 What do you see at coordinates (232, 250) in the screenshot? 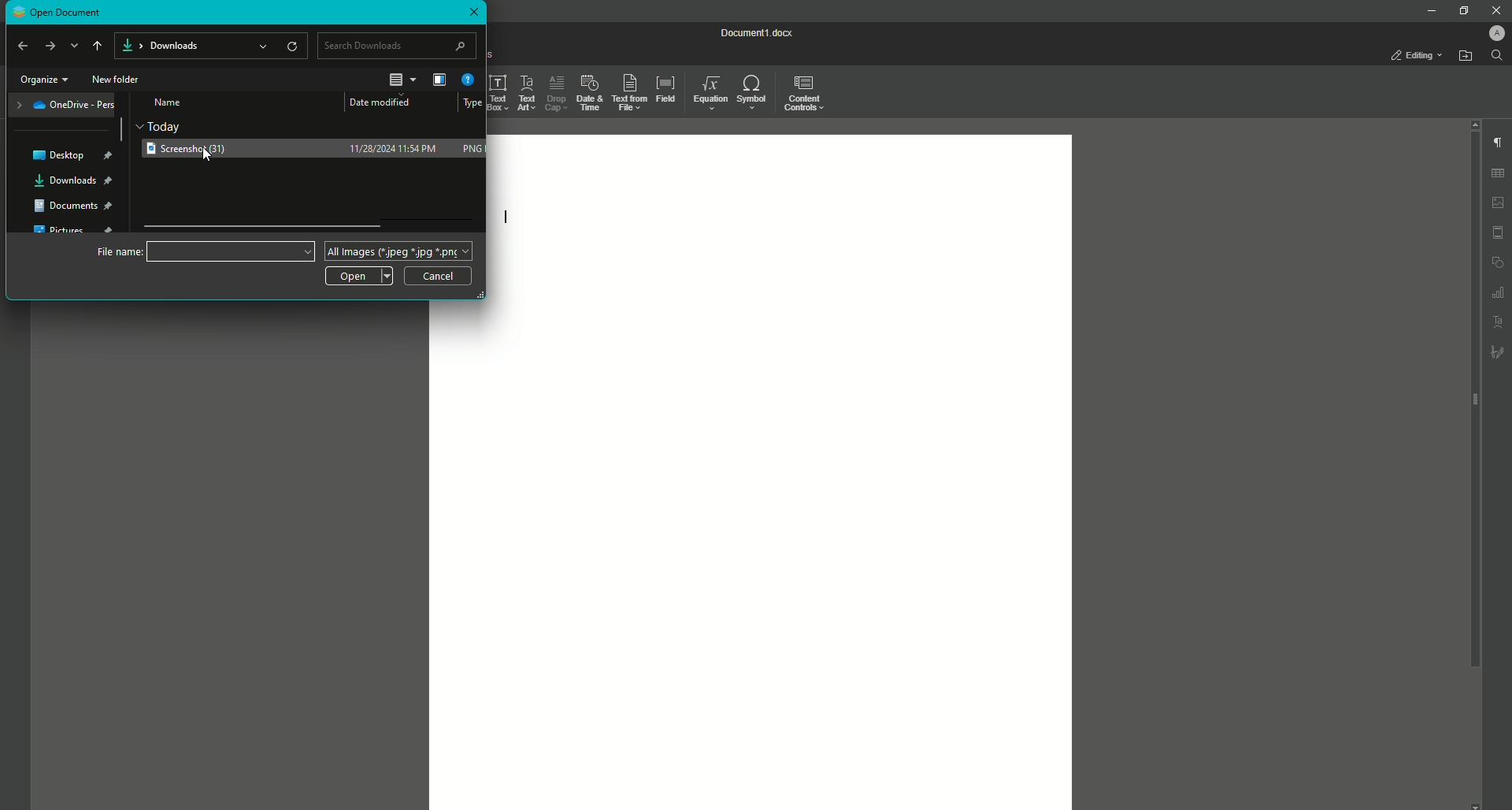
I see `File Name` at bounding box center [232, 250].